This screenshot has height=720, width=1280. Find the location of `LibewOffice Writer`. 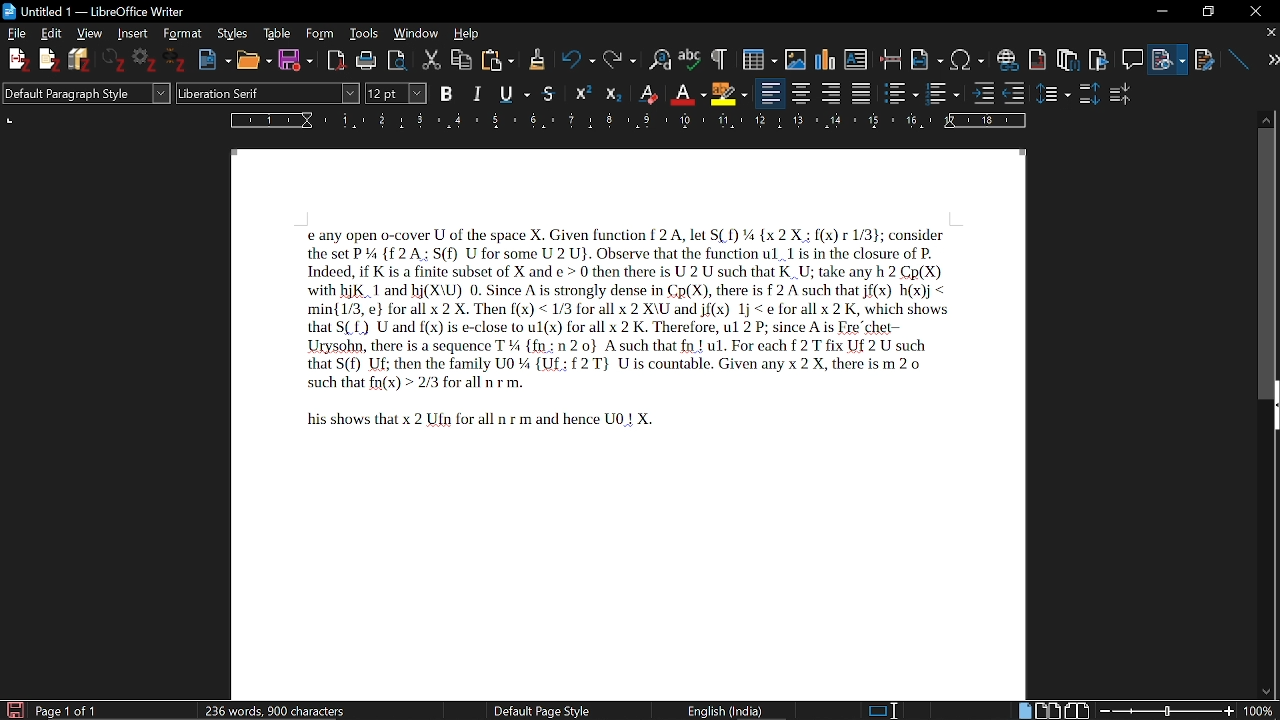

LibewOffice Writer is located at coordinates (9, 10).